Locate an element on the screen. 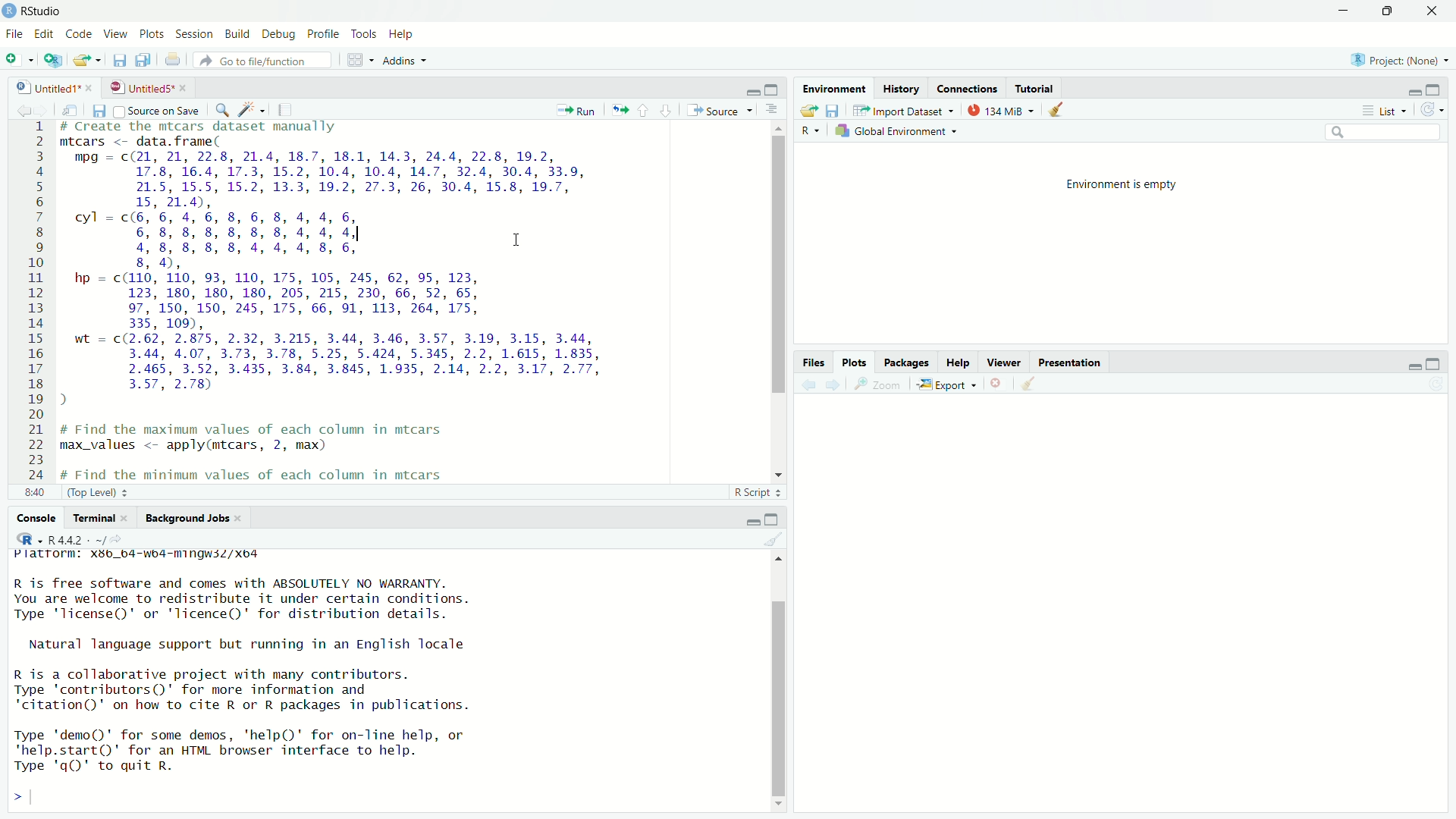 Image resolution: width=1456 pixels, height=819 pixels. back is located at coordinates (809, 382).